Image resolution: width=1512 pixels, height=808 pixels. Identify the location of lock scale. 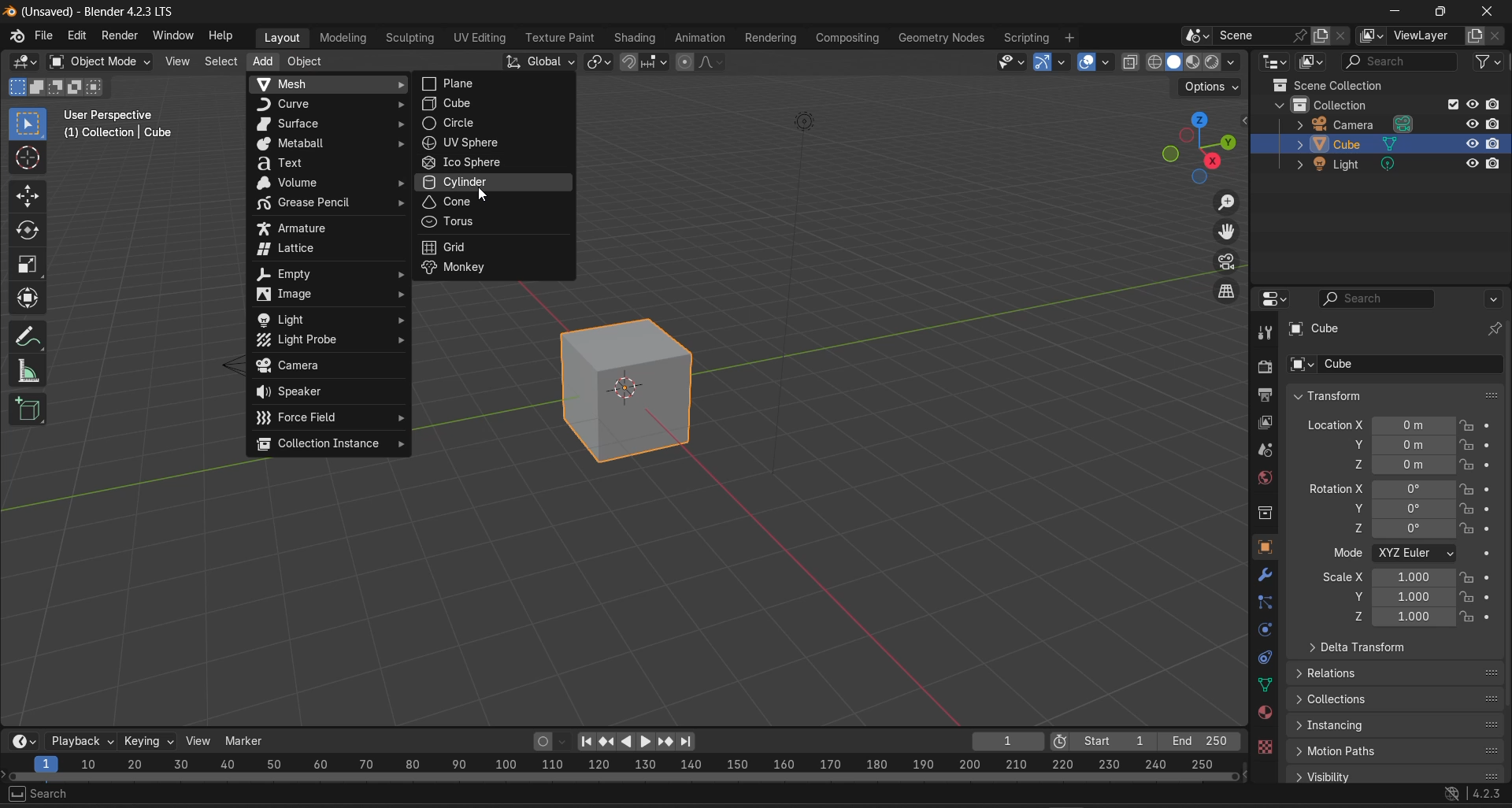
(1467, 597).